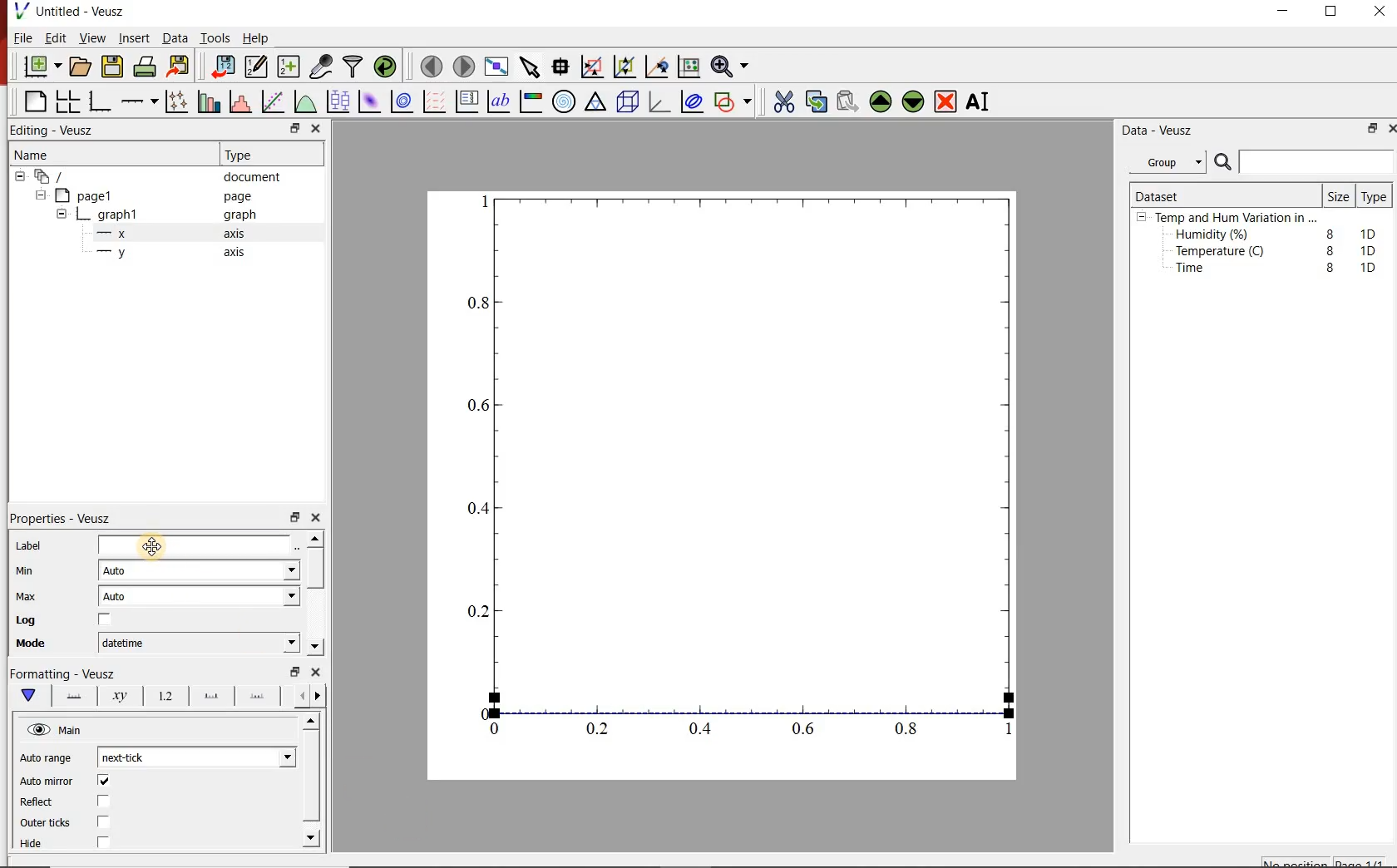 This screenshot has width=1397, height=868. I want to click on close, so click(318, 673).